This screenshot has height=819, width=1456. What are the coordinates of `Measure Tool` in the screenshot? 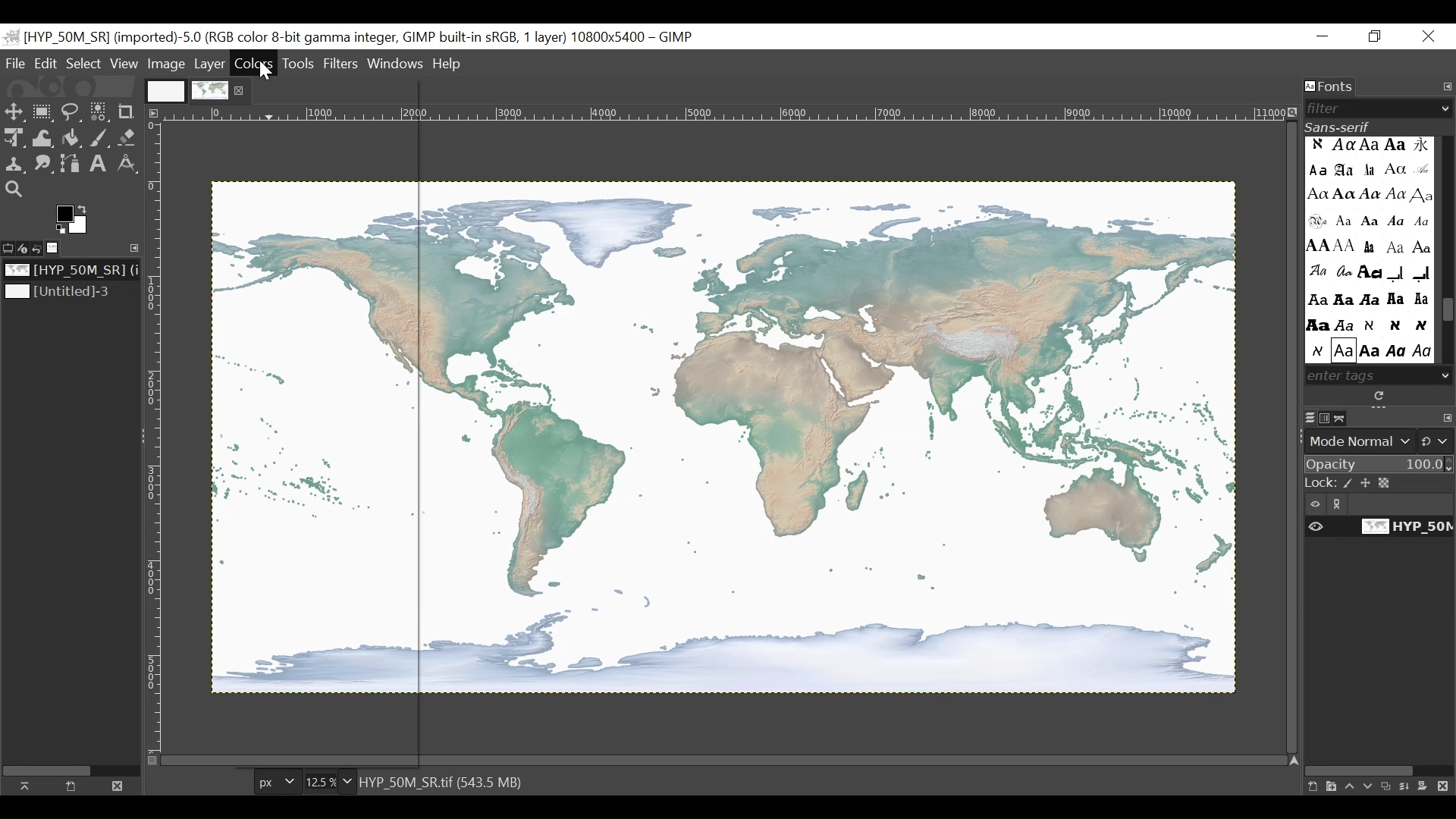 It's located at (126, 163).